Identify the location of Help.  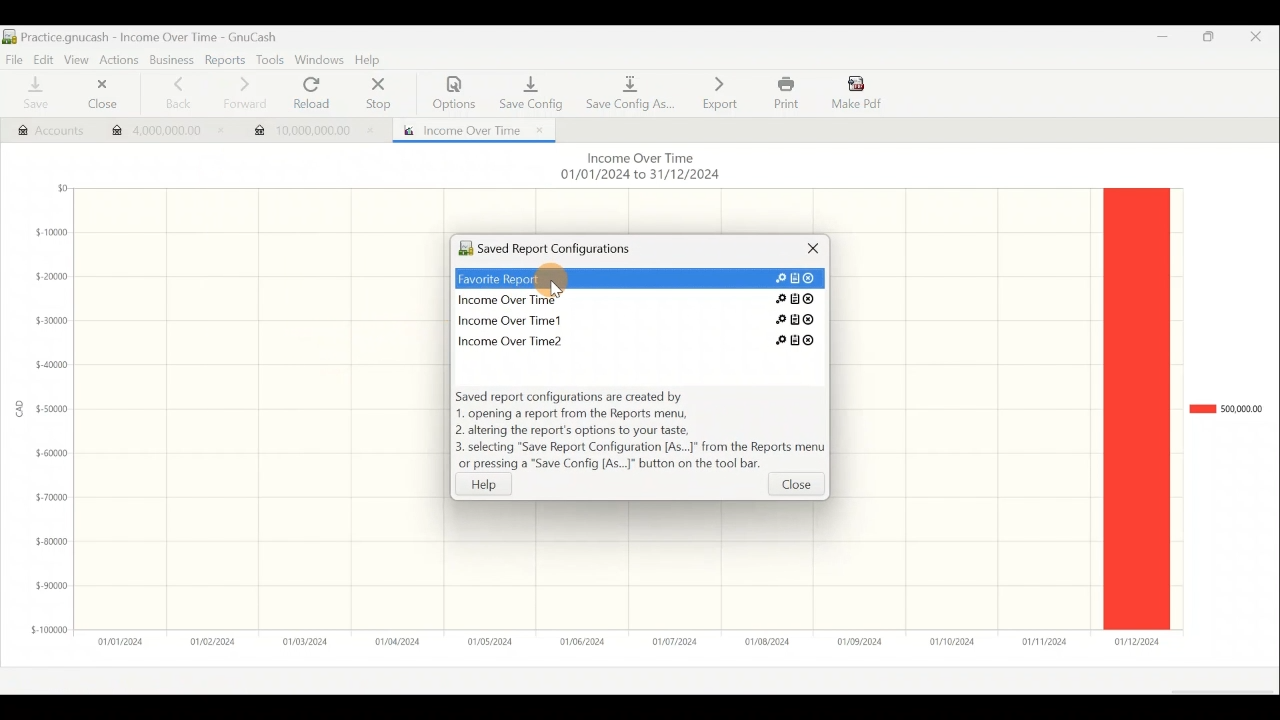
(372, 61).